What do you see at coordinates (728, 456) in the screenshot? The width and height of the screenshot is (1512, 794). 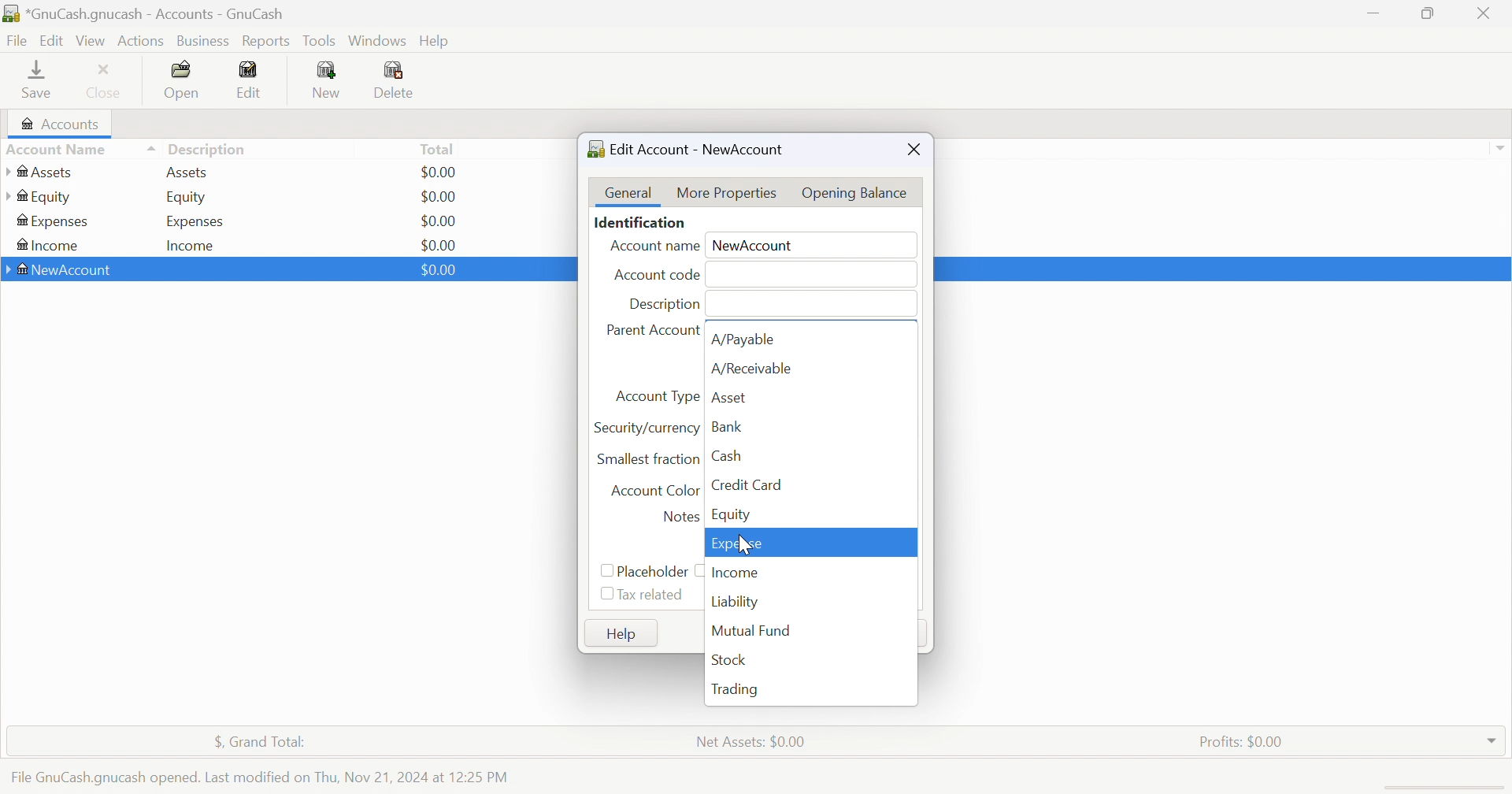 I see `Cash` at bounding box center [728, 456].